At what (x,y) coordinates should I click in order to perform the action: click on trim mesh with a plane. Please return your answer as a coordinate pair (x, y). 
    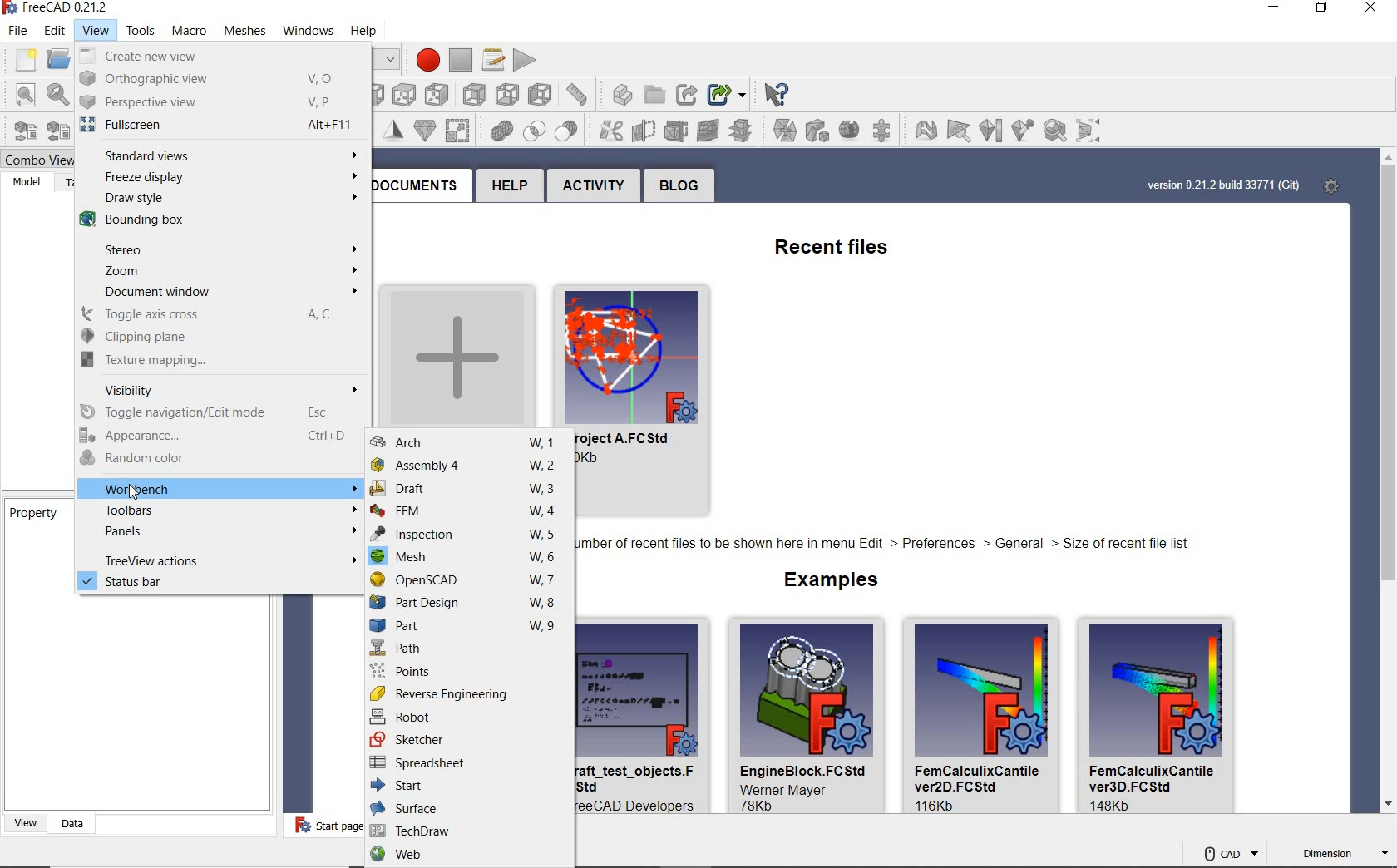
    Looking at the image, I should click on (647, 131).